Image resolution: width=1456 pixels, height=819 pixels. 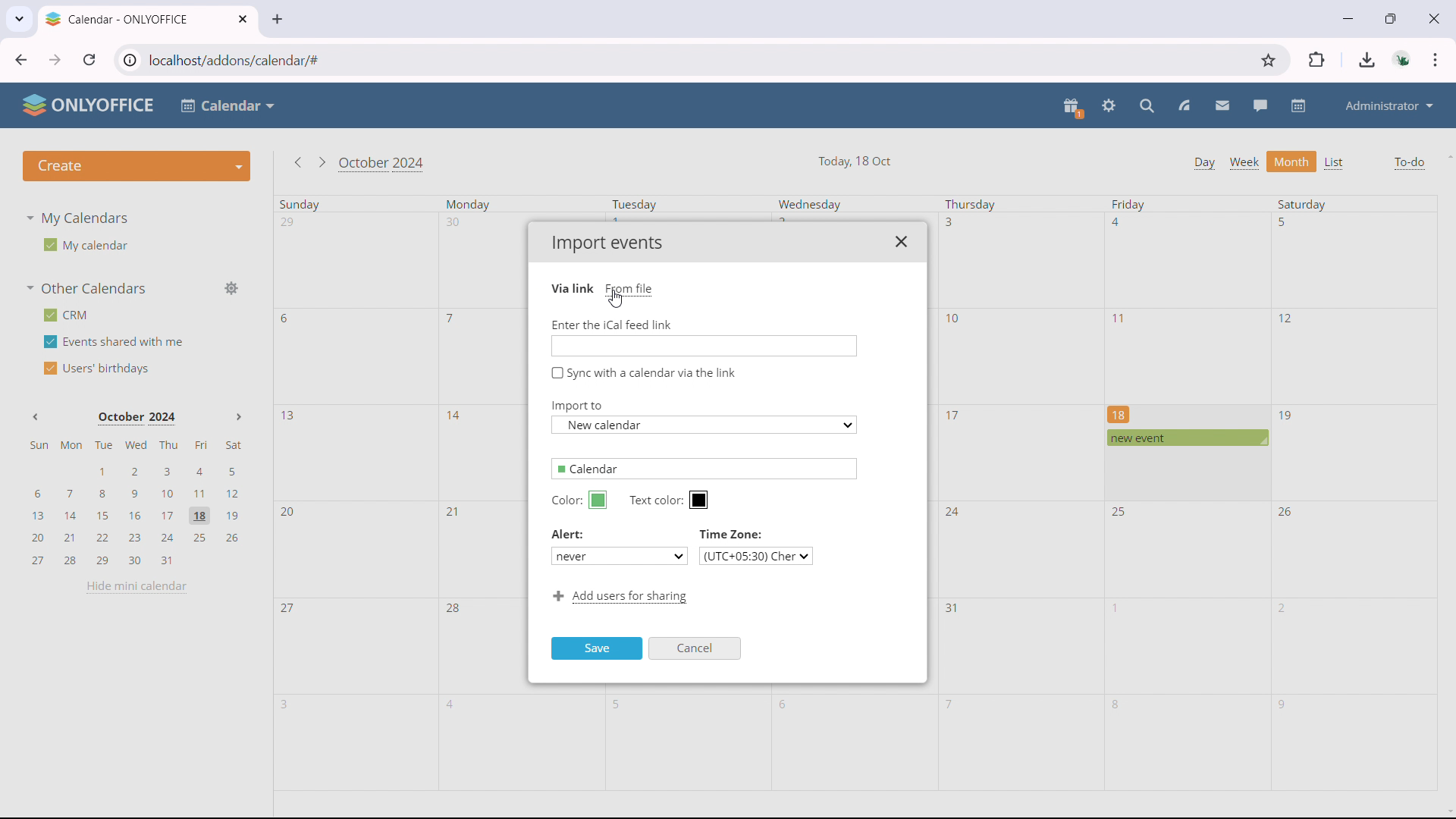 What do you see at coordinates (1432, 17) in the screenshot?
I see `close` at bounding box center [1432, 17].